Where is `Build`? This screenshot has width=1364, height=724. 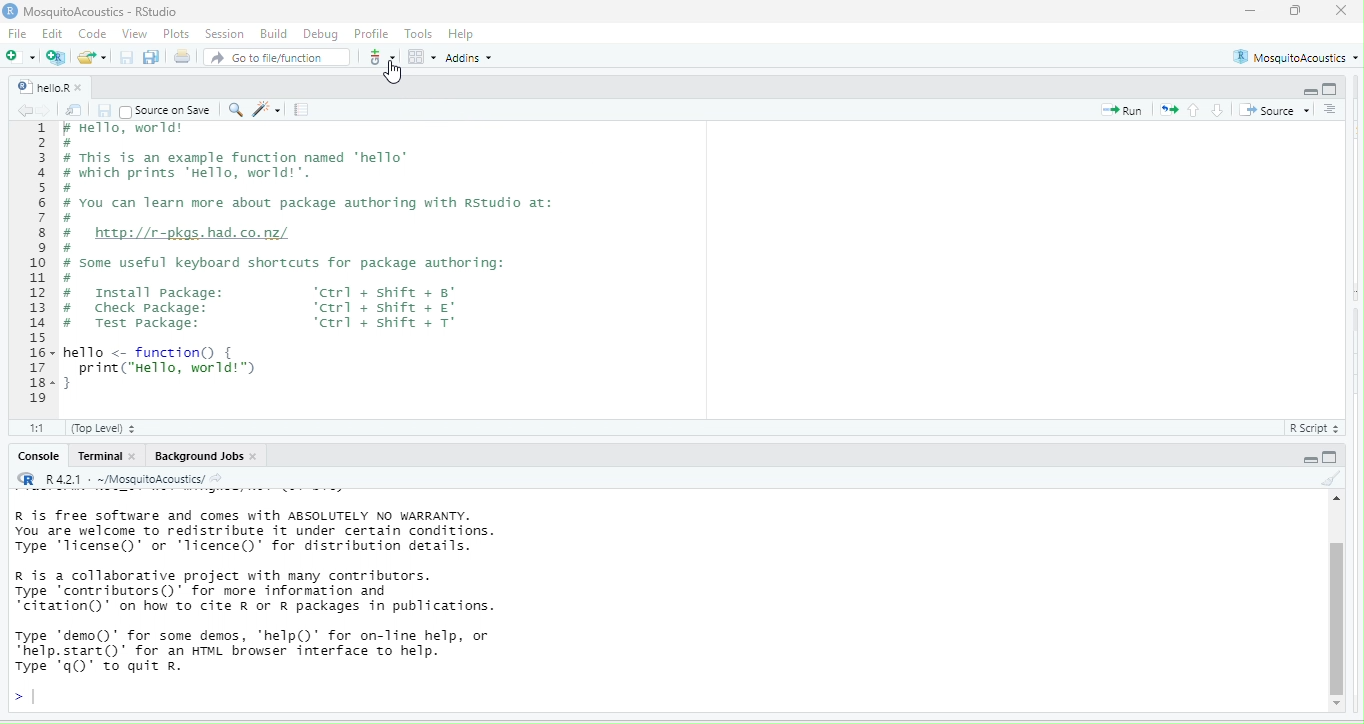 Build is located at coordinates (271, 35).